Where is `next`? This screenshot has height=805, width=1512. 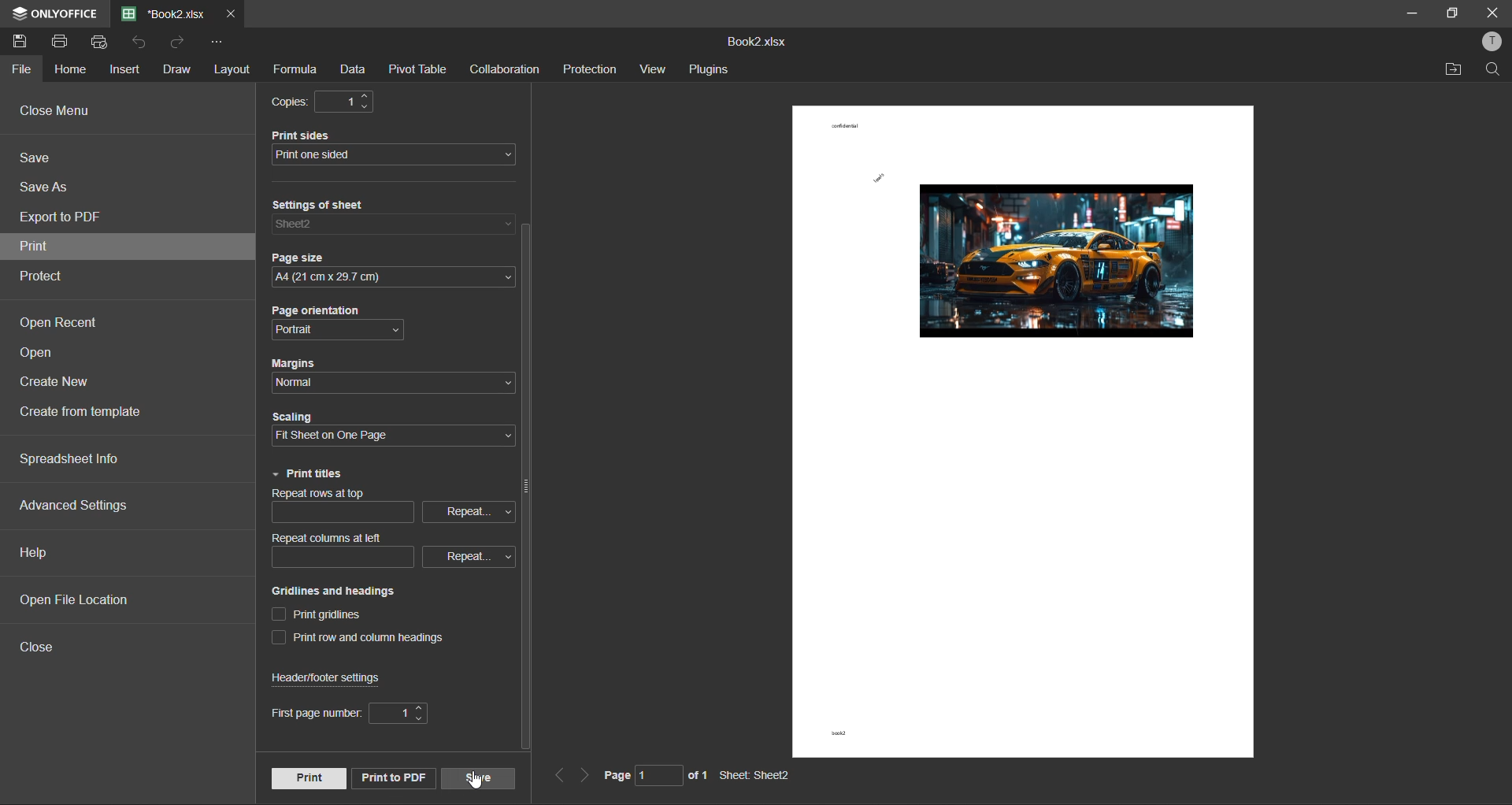
next is located at coordinates (584, 775).